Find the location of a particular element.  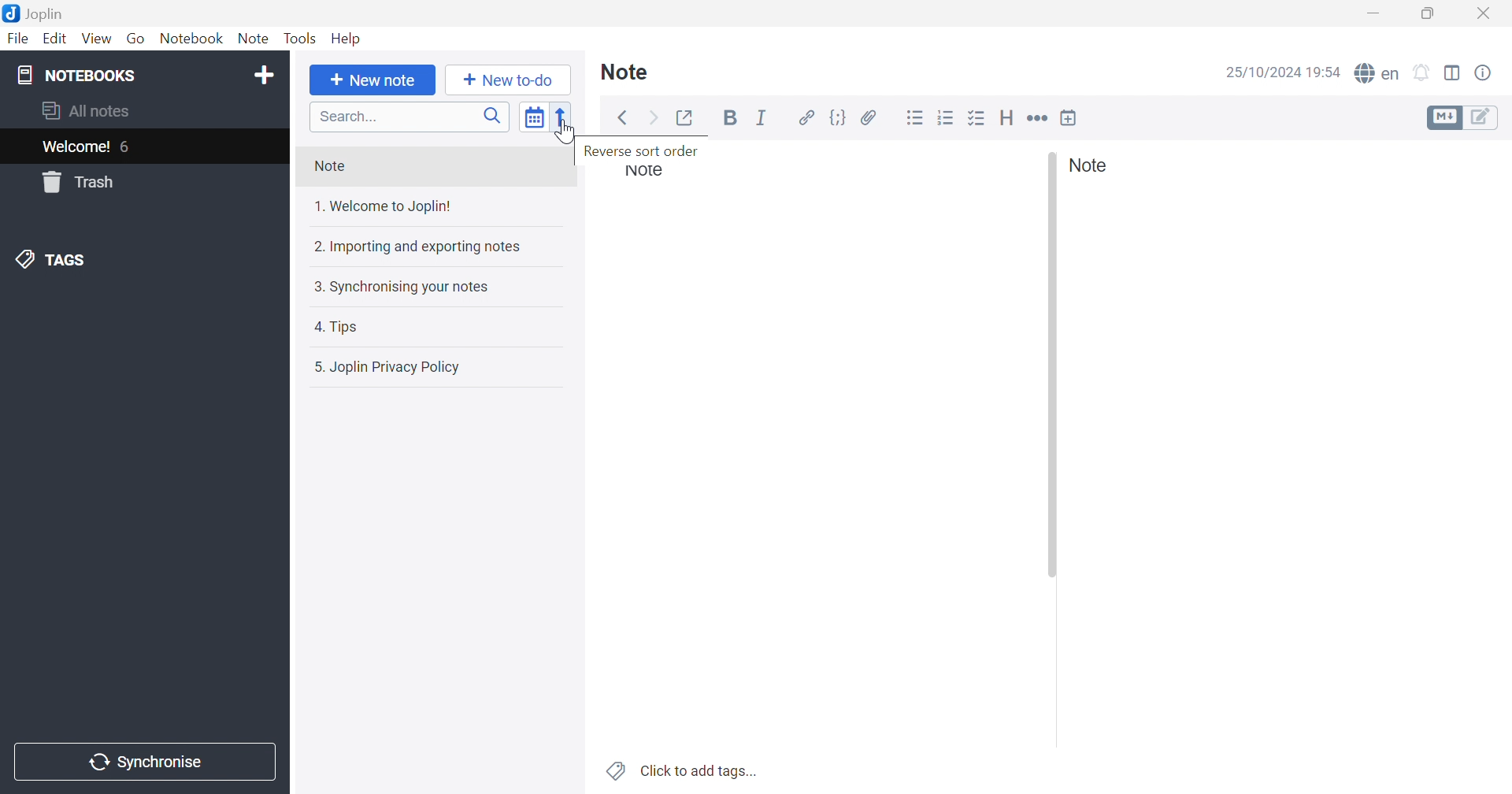

Welcome! is located at coordinates (77, 147).